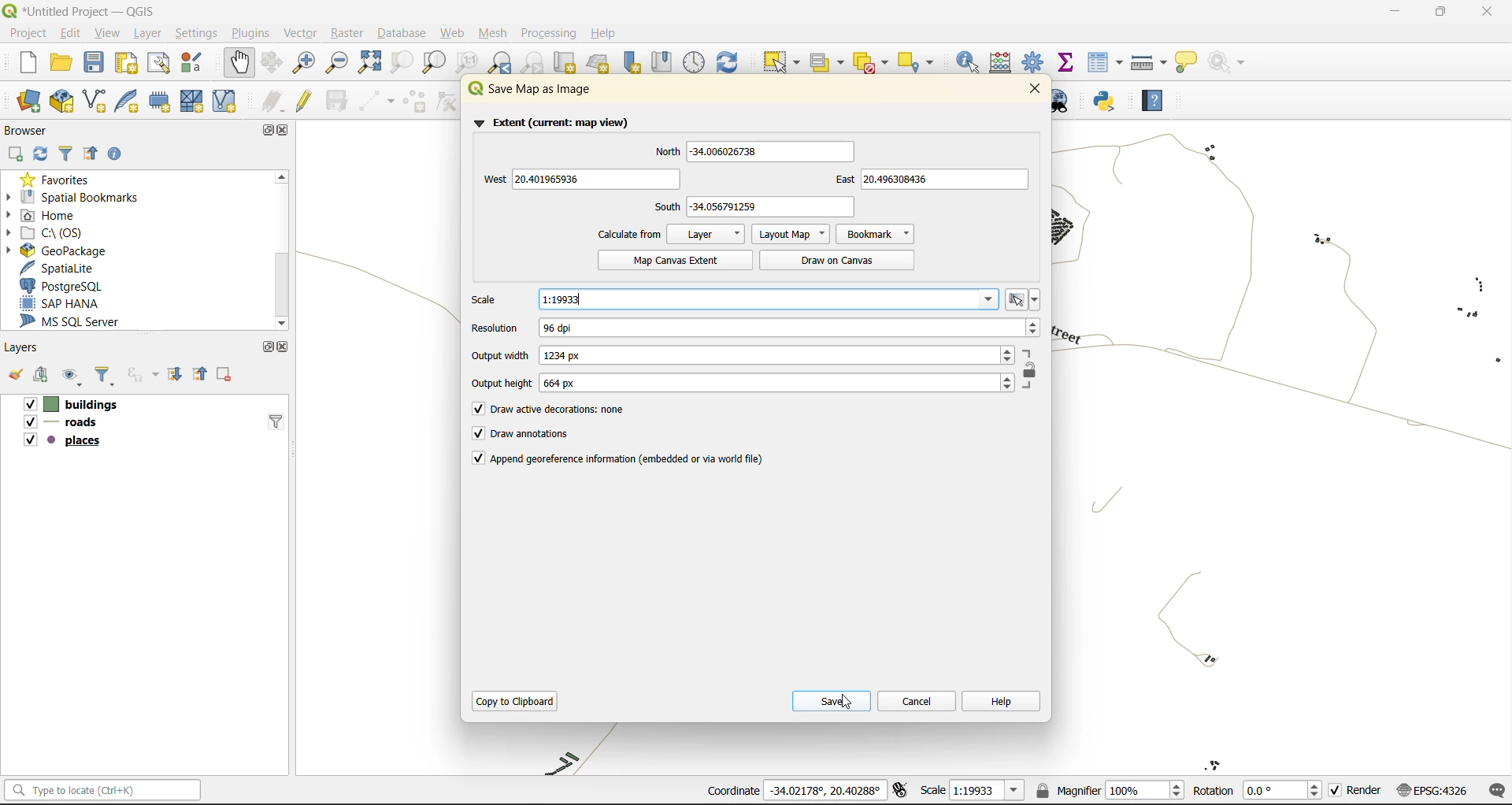 The image size is (1512, 805). What do you see at coordinates (760, 206) in the screenshot?
I see `south` at bounding box center [760, 206].